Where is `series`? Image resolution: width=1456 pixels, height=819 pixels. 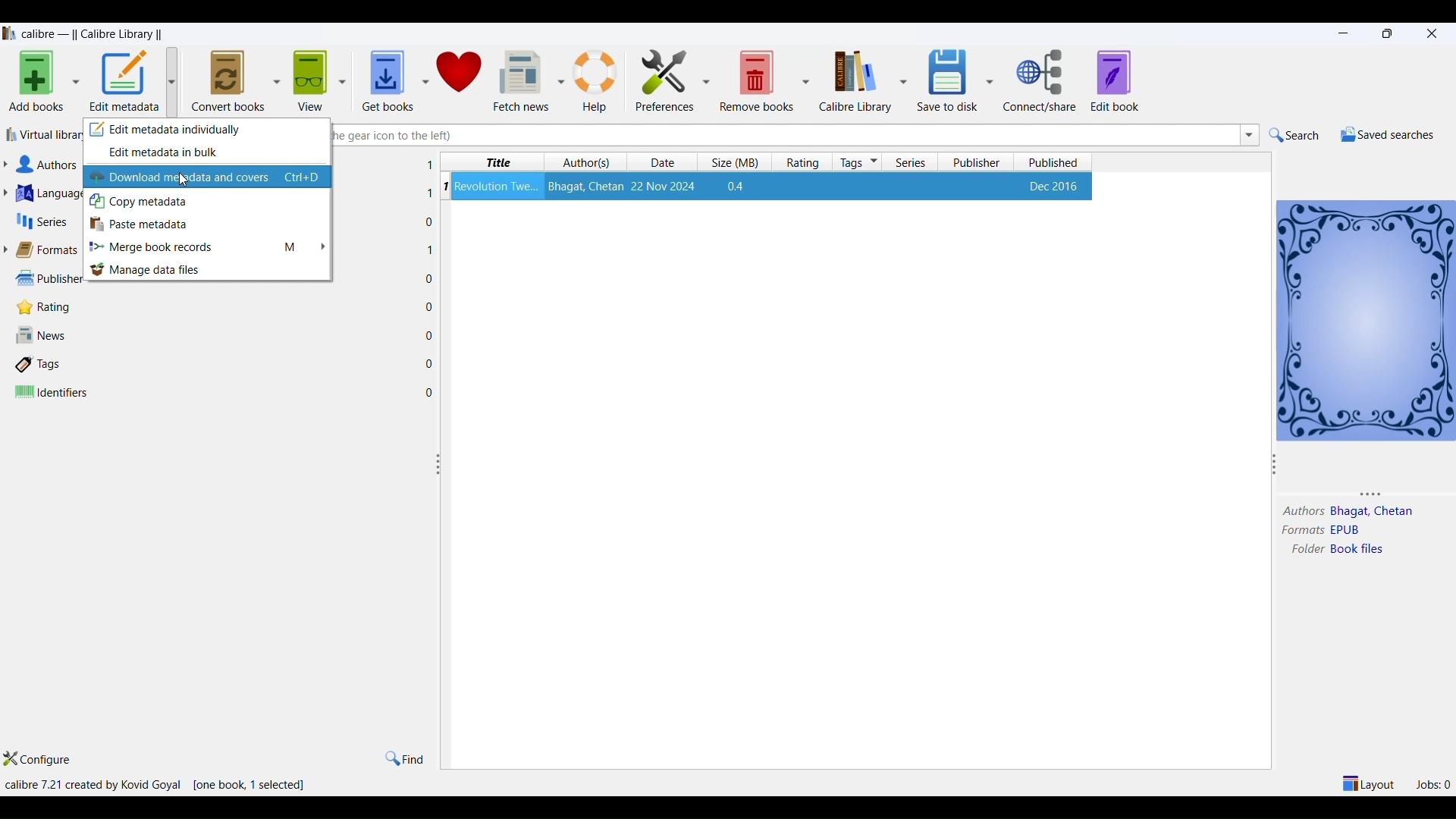
series is located at coordinates (914, 162).